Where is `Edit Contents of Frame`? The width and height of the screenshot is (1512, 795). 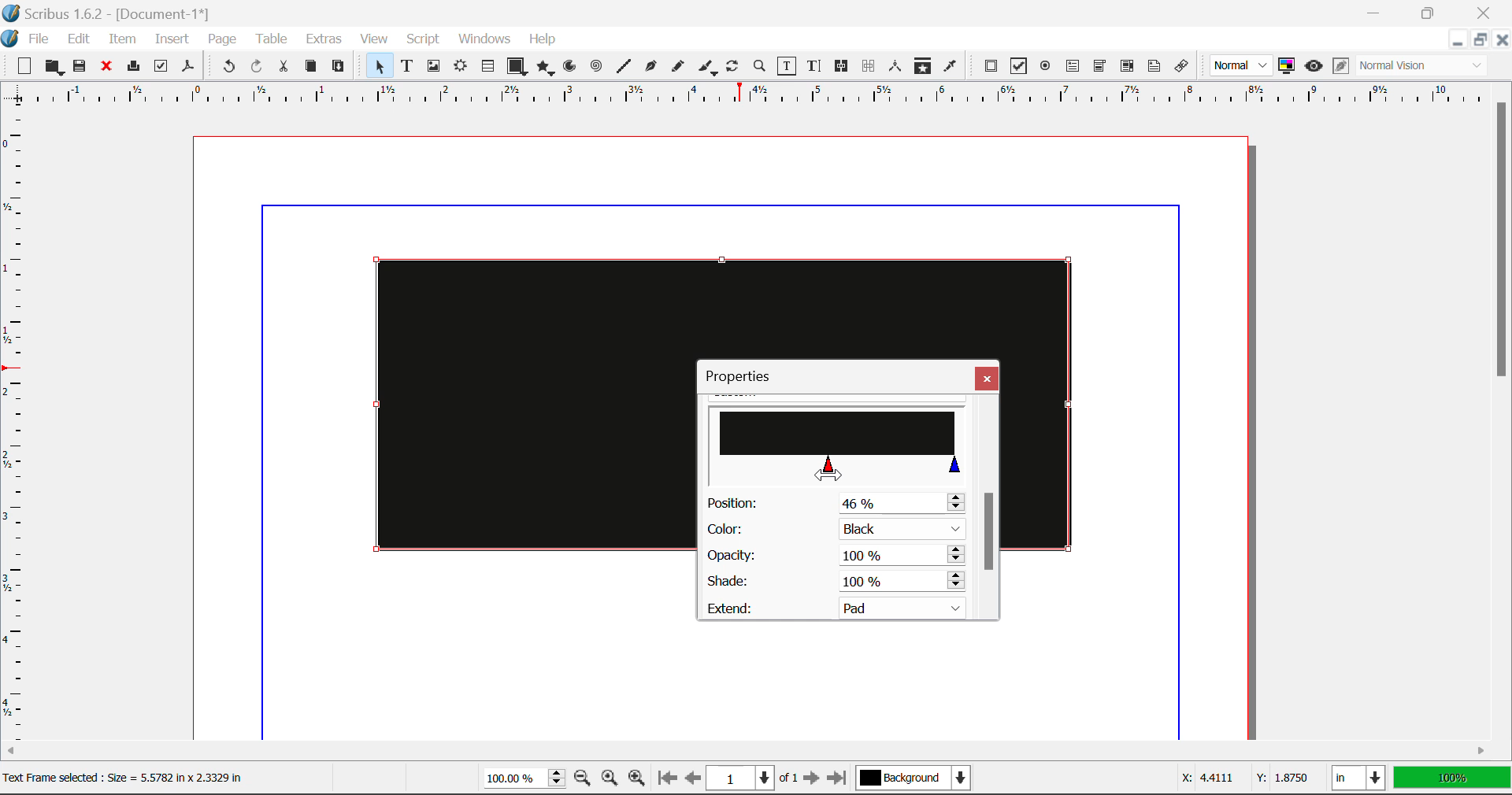 Edit Contents of Frame is located at coordinates (787, 68).